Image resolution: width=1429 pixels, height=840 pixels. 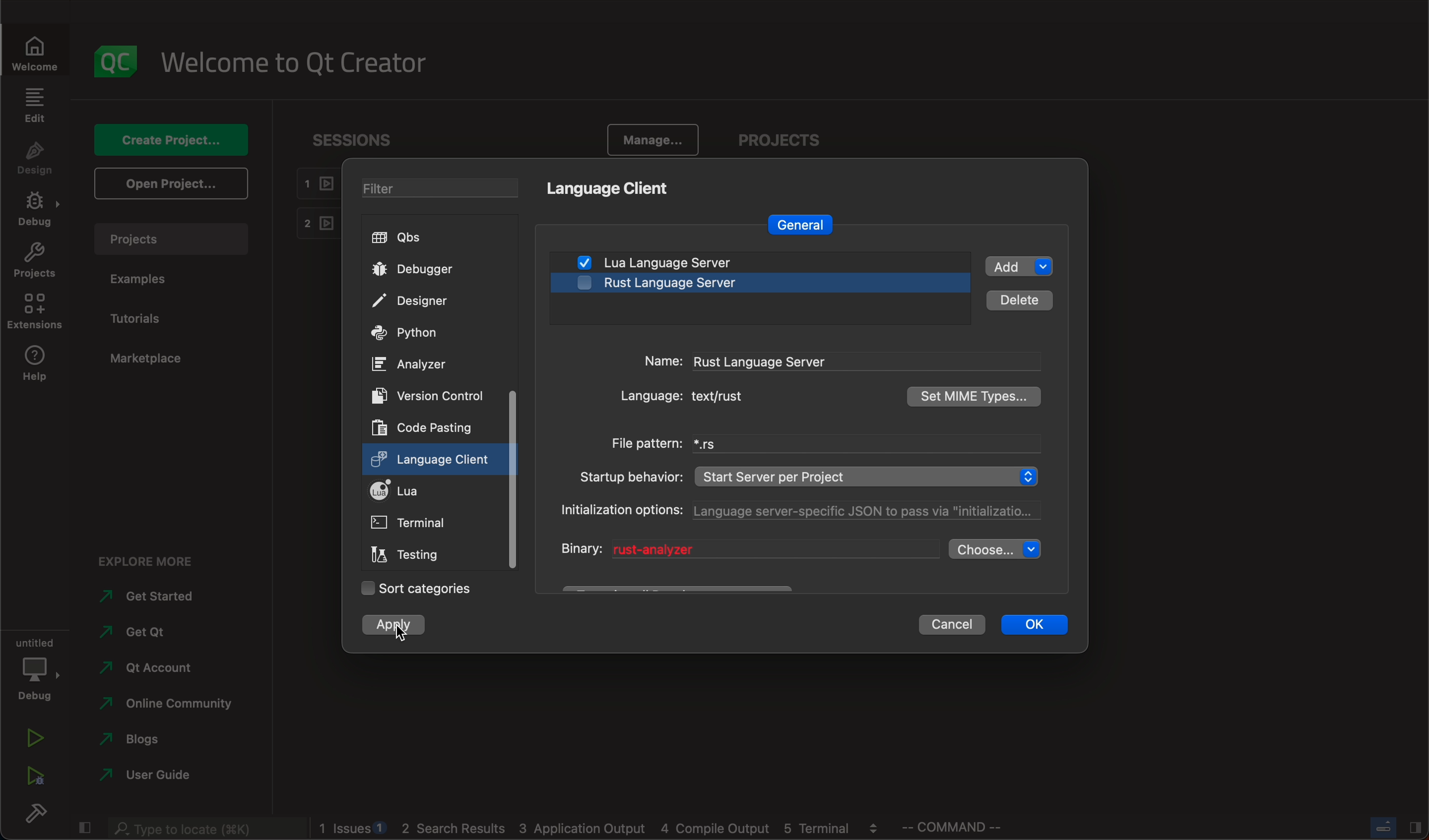 What do you see at coordinates (743, 549) in the screenshot?
I see `binary` at bounding box center [743, 549].